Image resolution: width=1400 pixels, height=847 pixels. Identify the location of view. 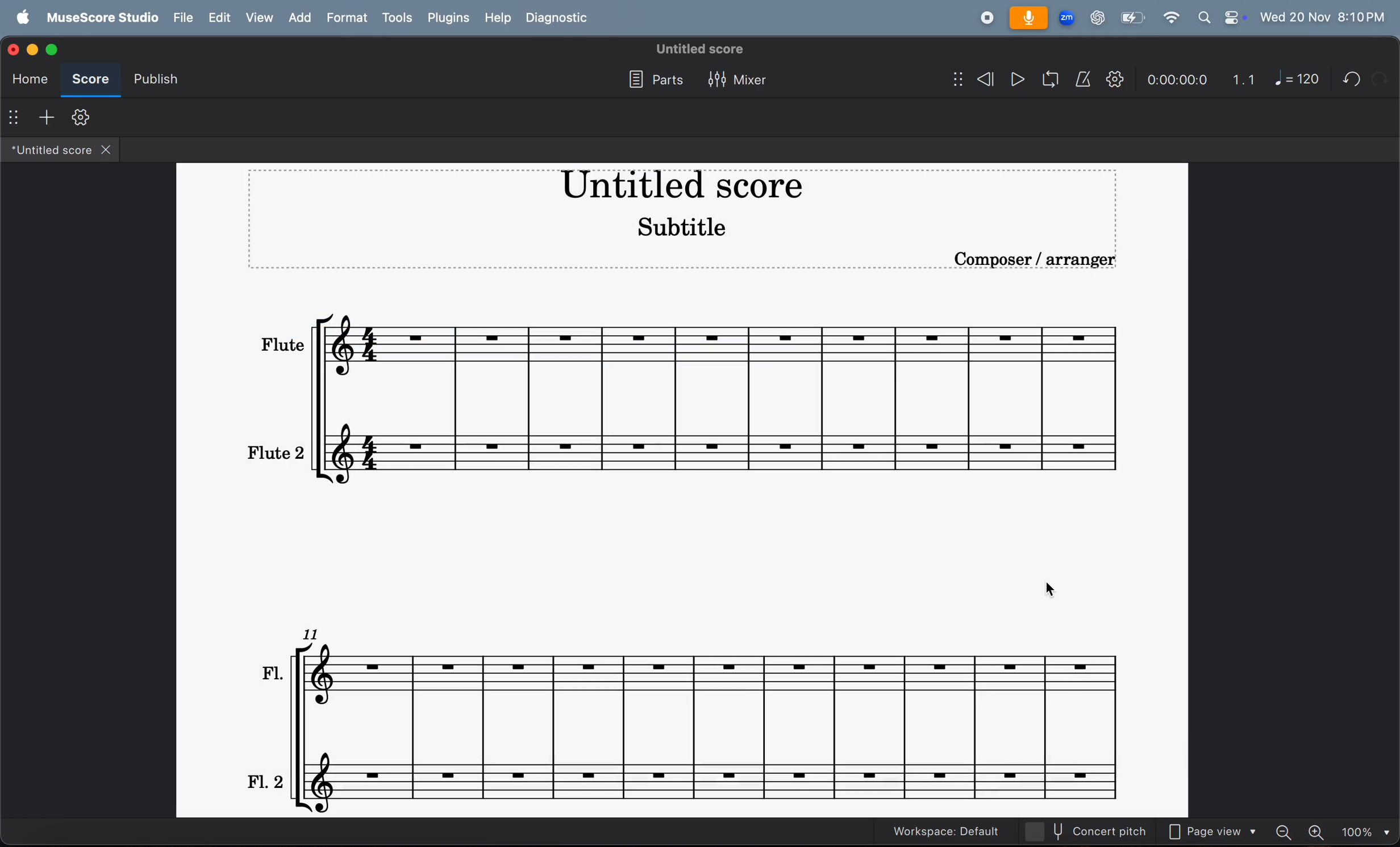
(259, 18).